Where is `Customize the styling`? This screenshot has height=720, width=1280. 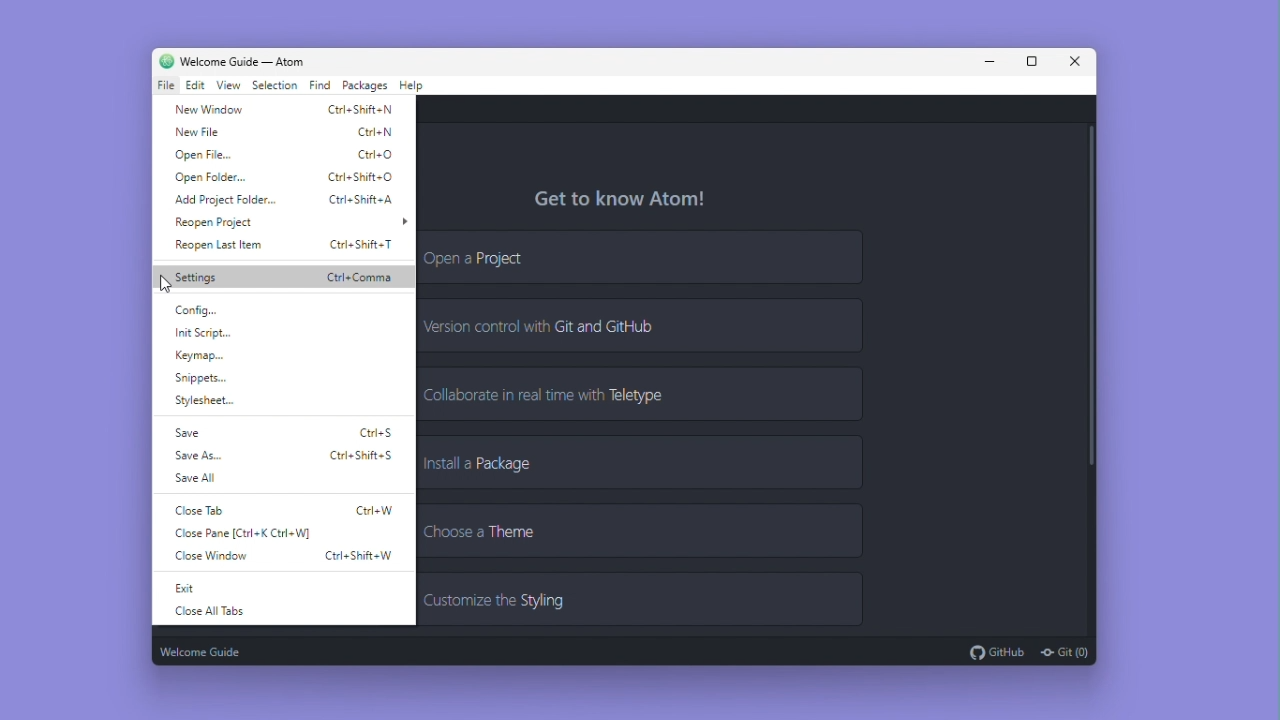
Customize the styling is located at coordinates (640, 599).